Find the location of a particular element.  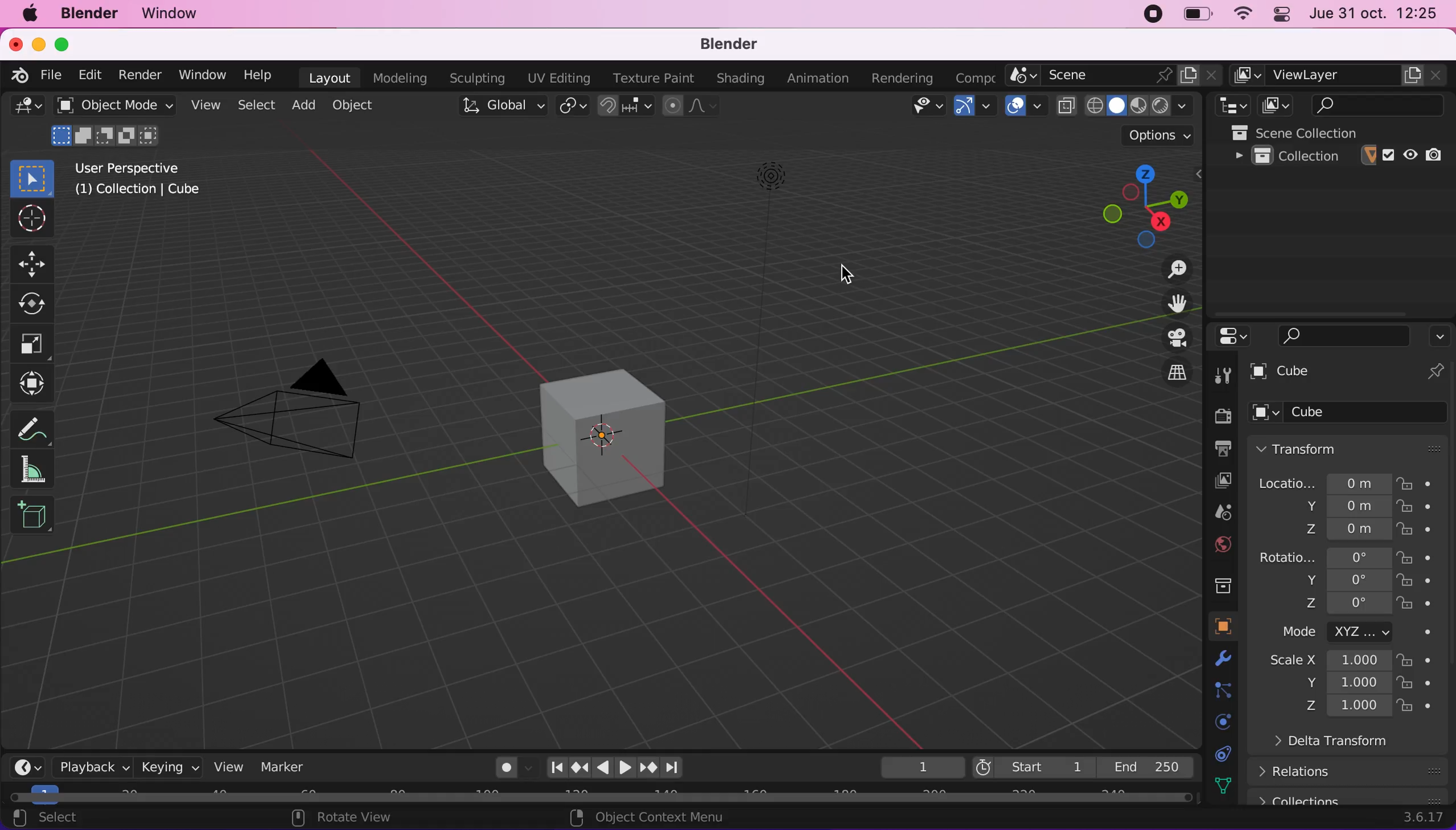

camera is located at coordinates (304, 415).